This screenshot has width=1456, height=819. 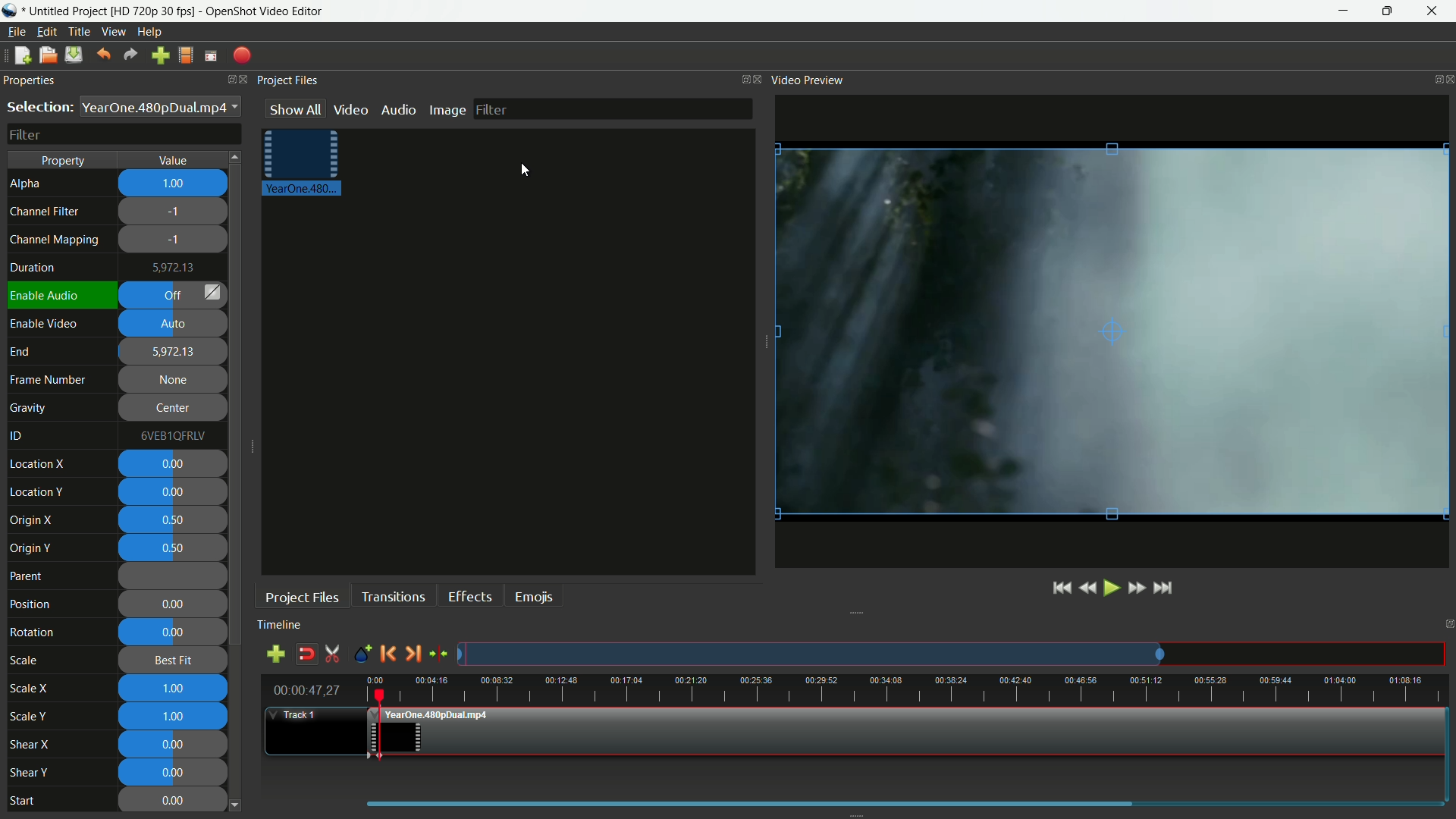 What do you see at coordinates (1447, 625) in the screenshot?
I see `close timeline` at bounding box center [1447, 625].